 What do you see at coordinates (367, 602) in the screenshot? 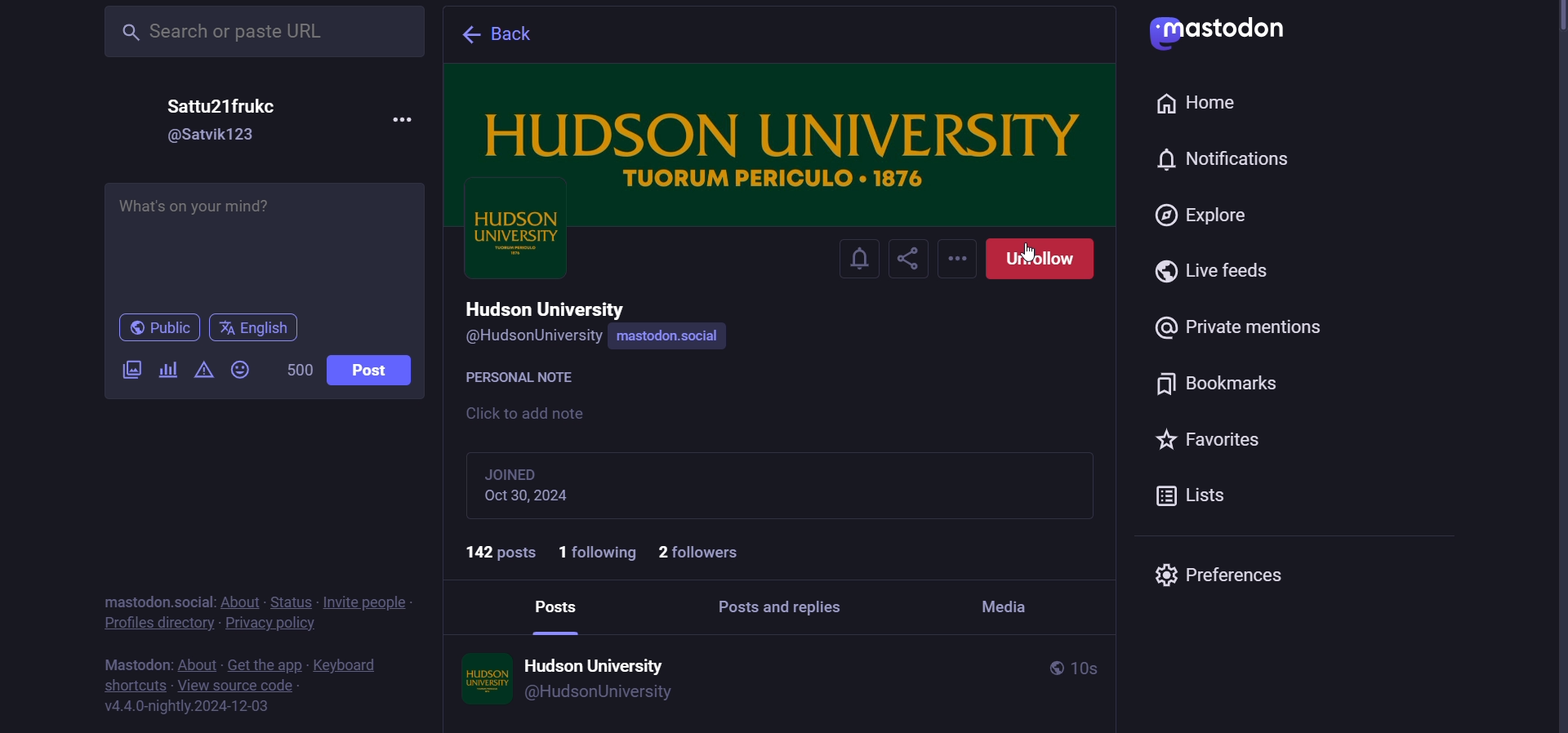
I see `invite people` at bounding box center [367, 602].